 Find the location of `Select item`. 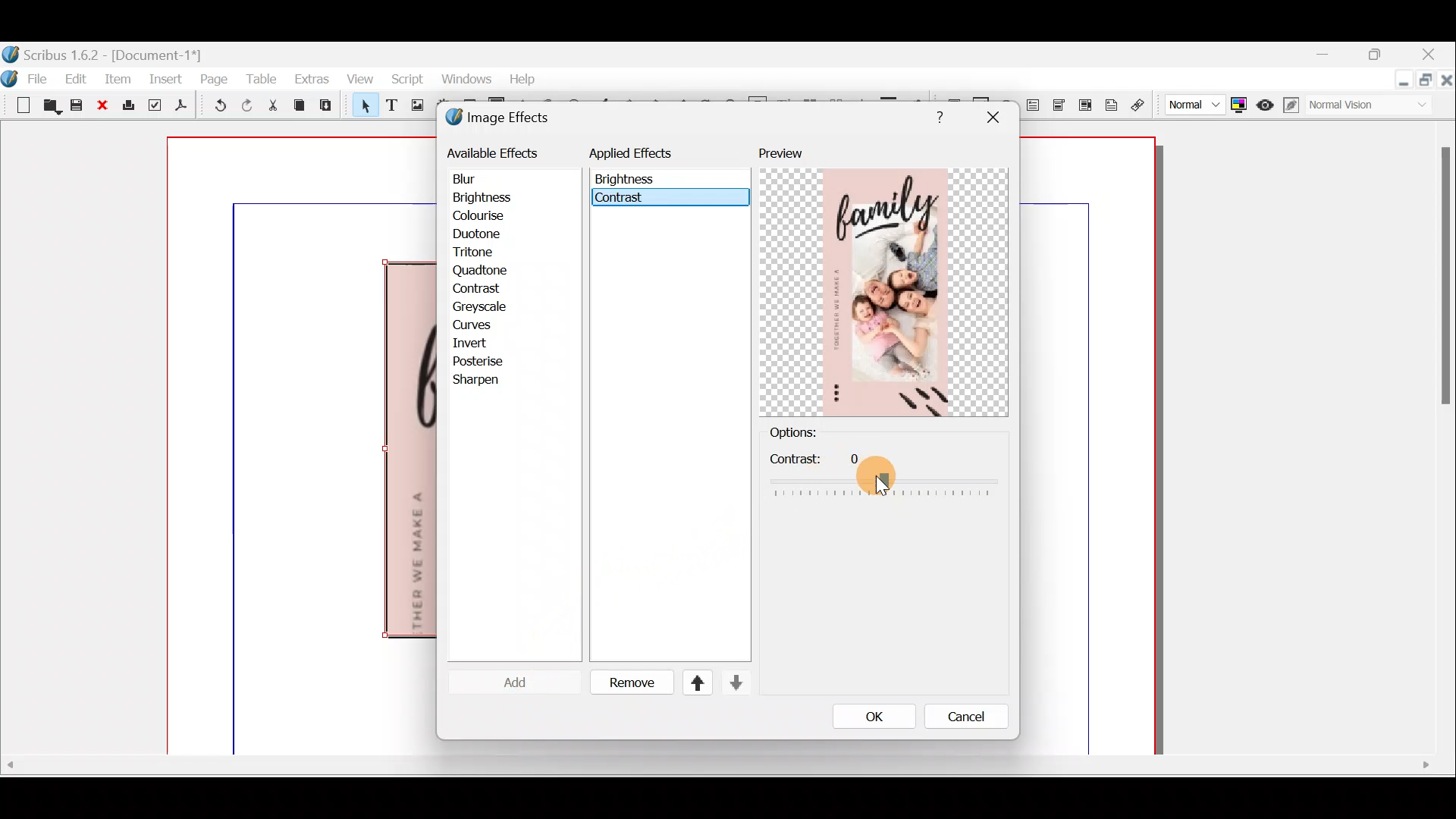

Select item is located at coordinates (362, 108).